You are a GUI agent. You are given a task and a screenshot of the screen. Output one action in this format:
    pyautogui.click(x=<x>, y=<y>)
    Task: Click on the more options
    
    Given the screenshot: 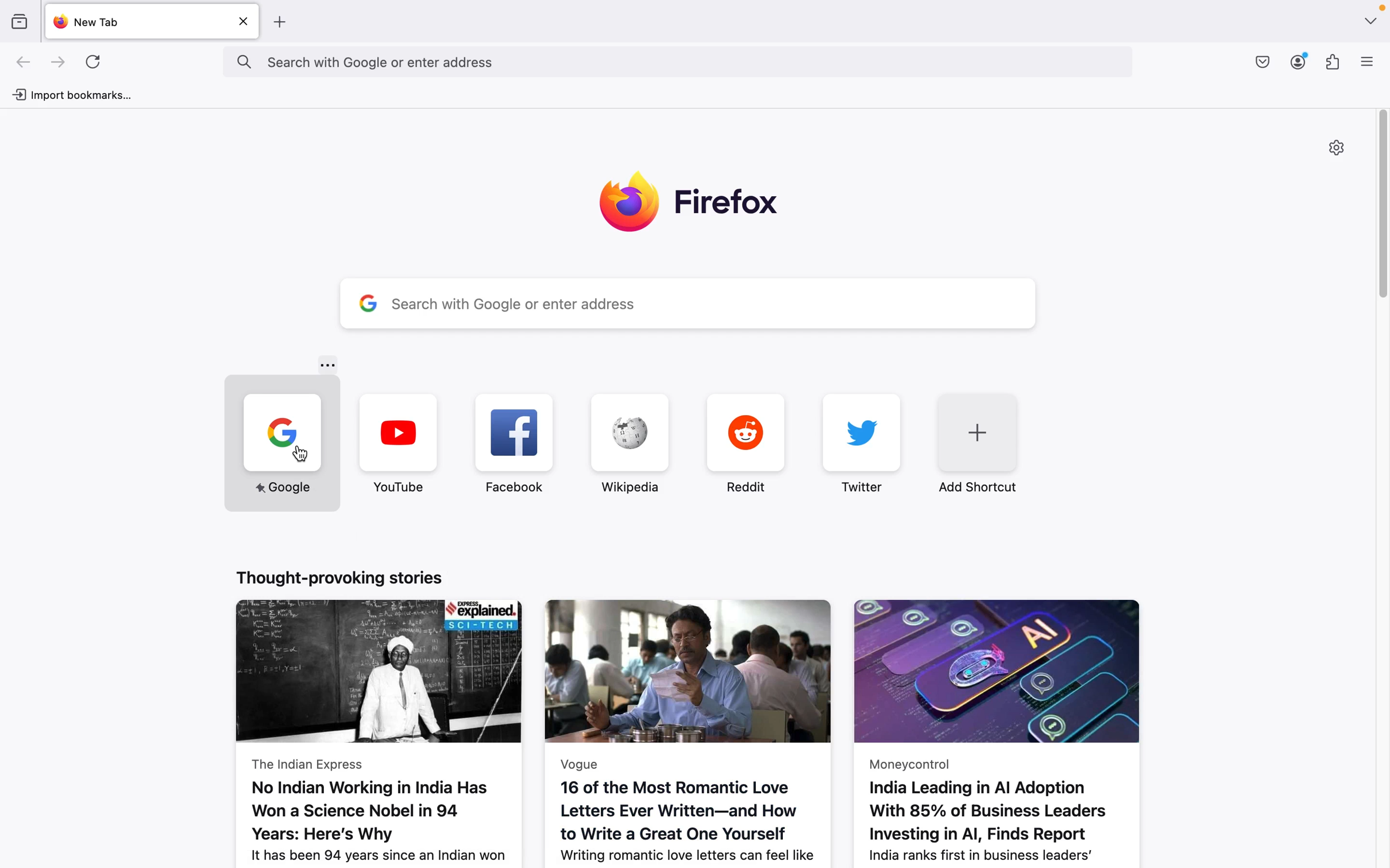 What is the action you would take?
    pyautogui.click(x=326, y=365)
    